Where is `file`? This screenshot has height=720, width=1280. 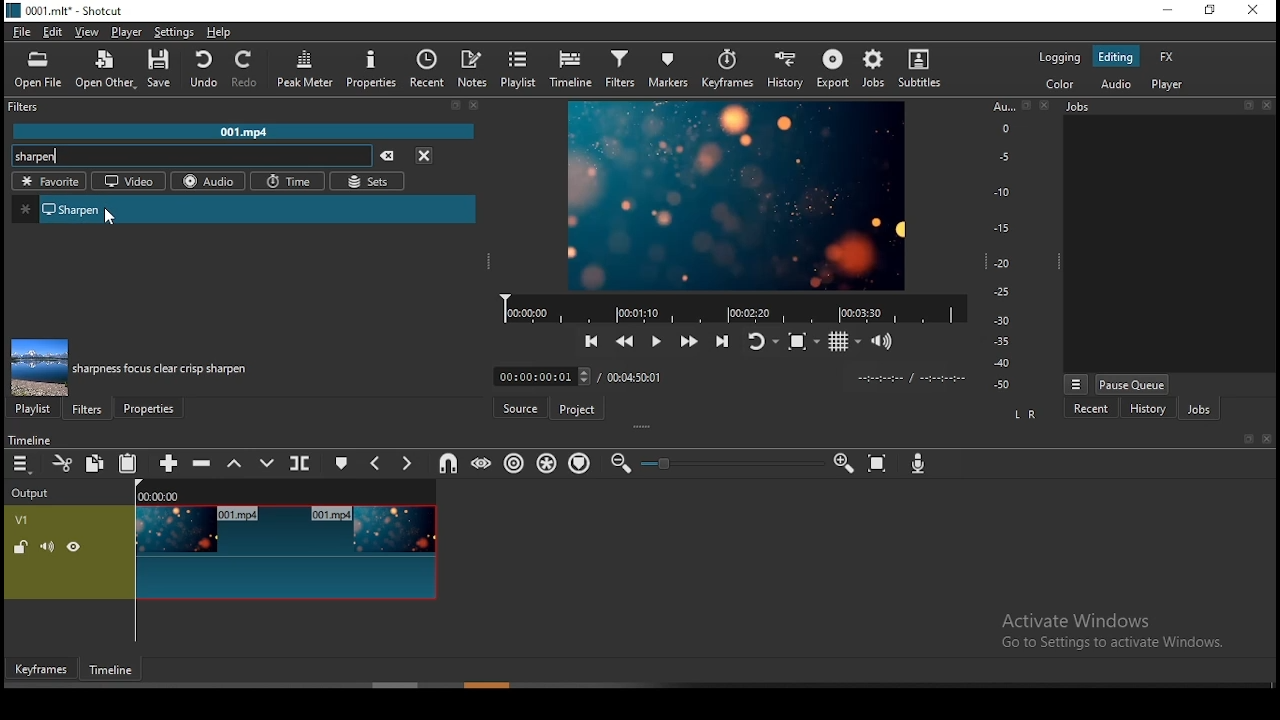 file is located at coordinates (20, 33).